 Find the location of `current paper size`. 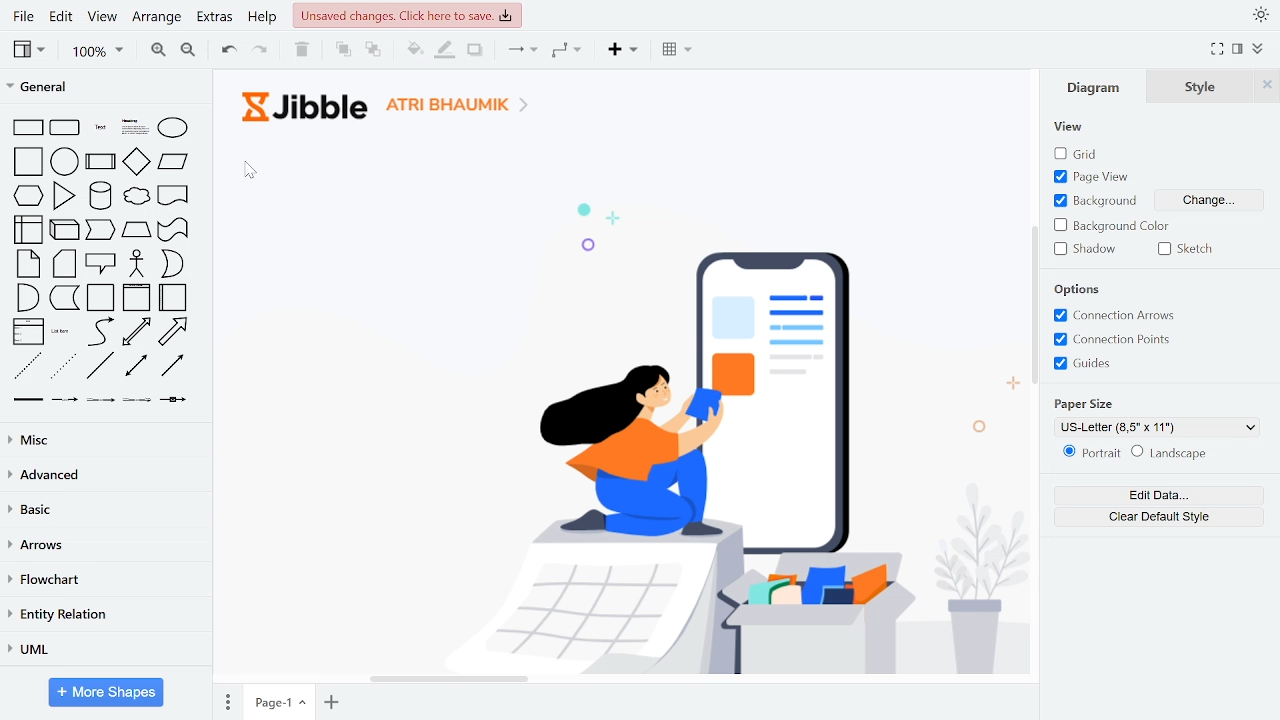

current paper size is located at coordinates (1159, 426).